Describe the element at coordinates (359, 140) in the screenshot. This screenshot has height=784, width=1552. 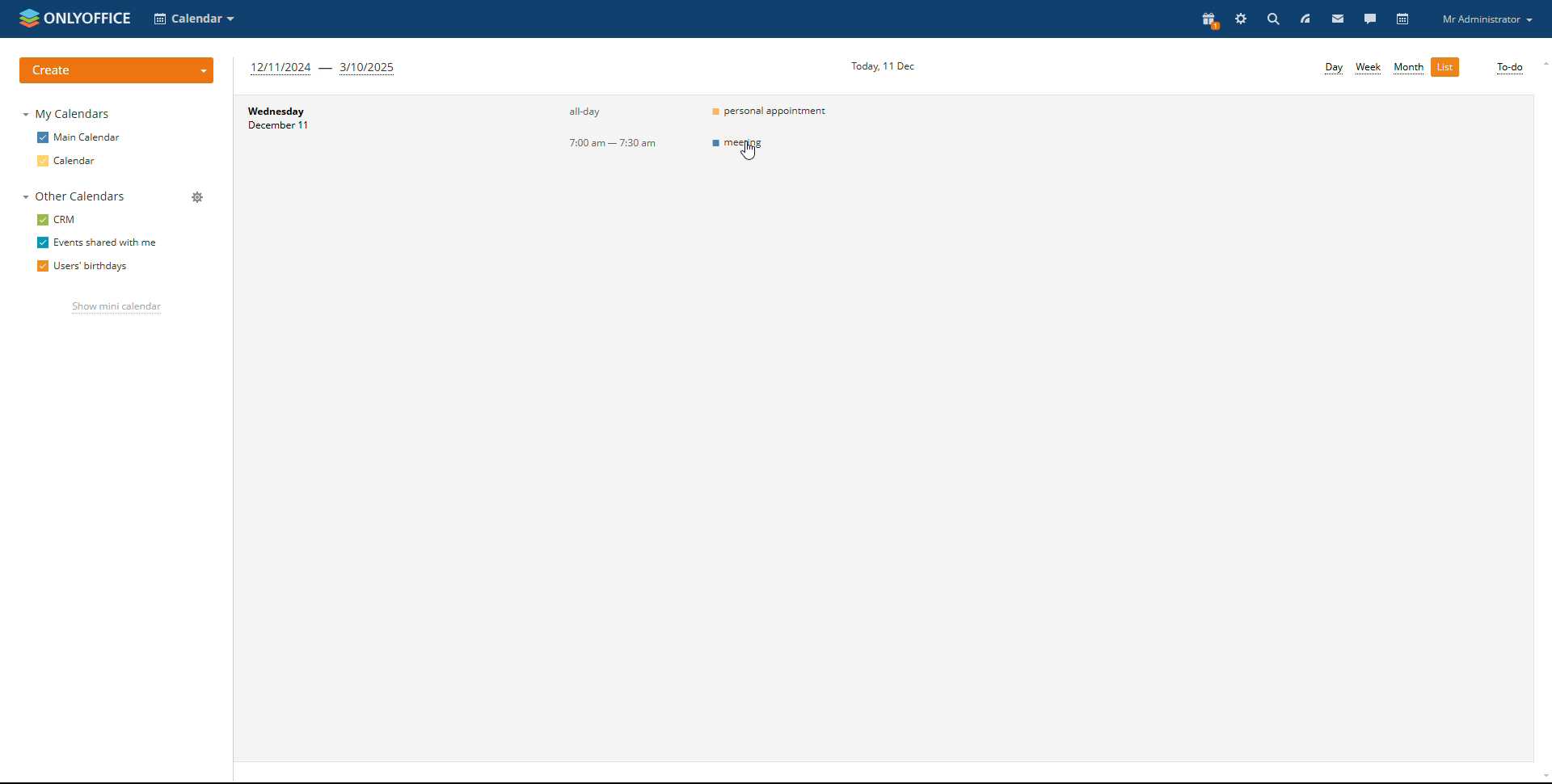
I see `day and date` at that location.